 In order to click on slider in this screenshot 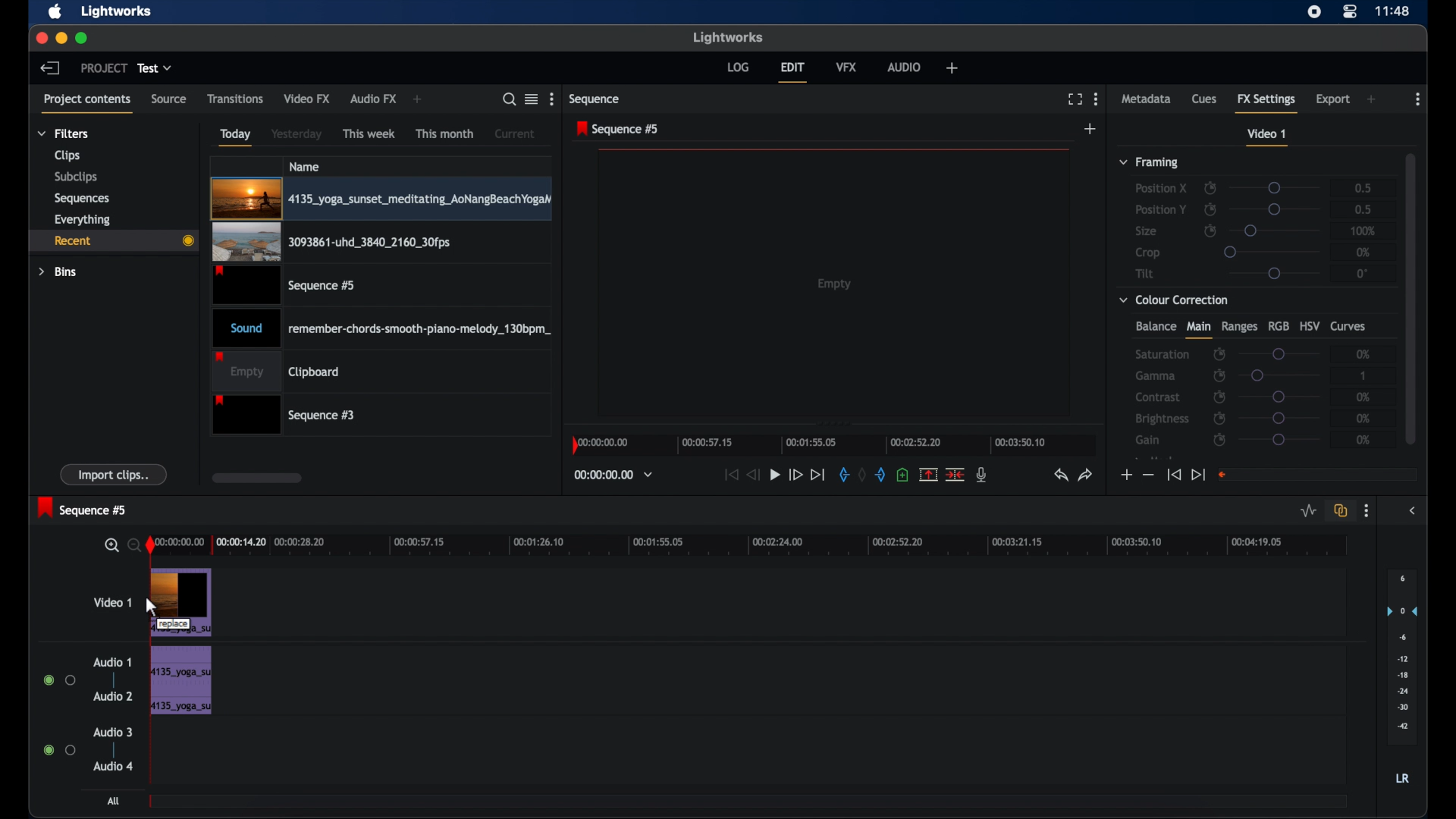, I will do `click(1279, 353)`.